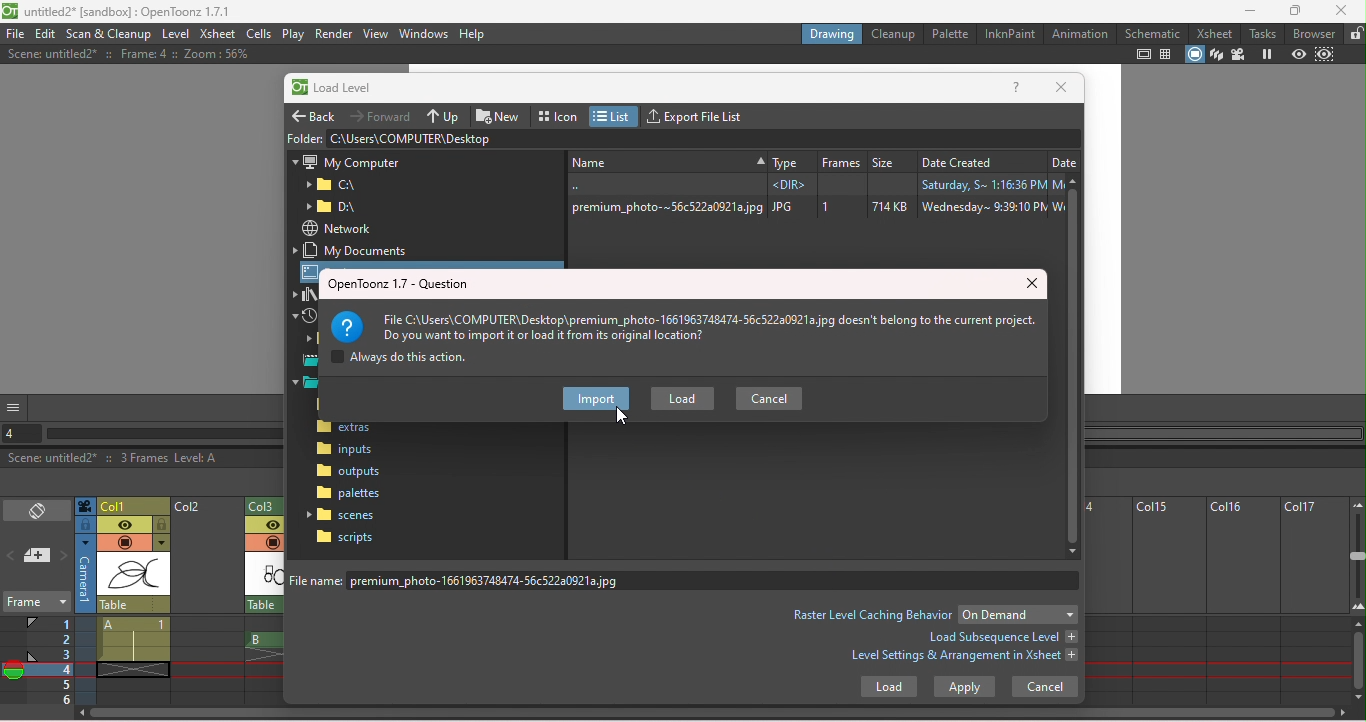  I want to click on Help, so click(473, 33).